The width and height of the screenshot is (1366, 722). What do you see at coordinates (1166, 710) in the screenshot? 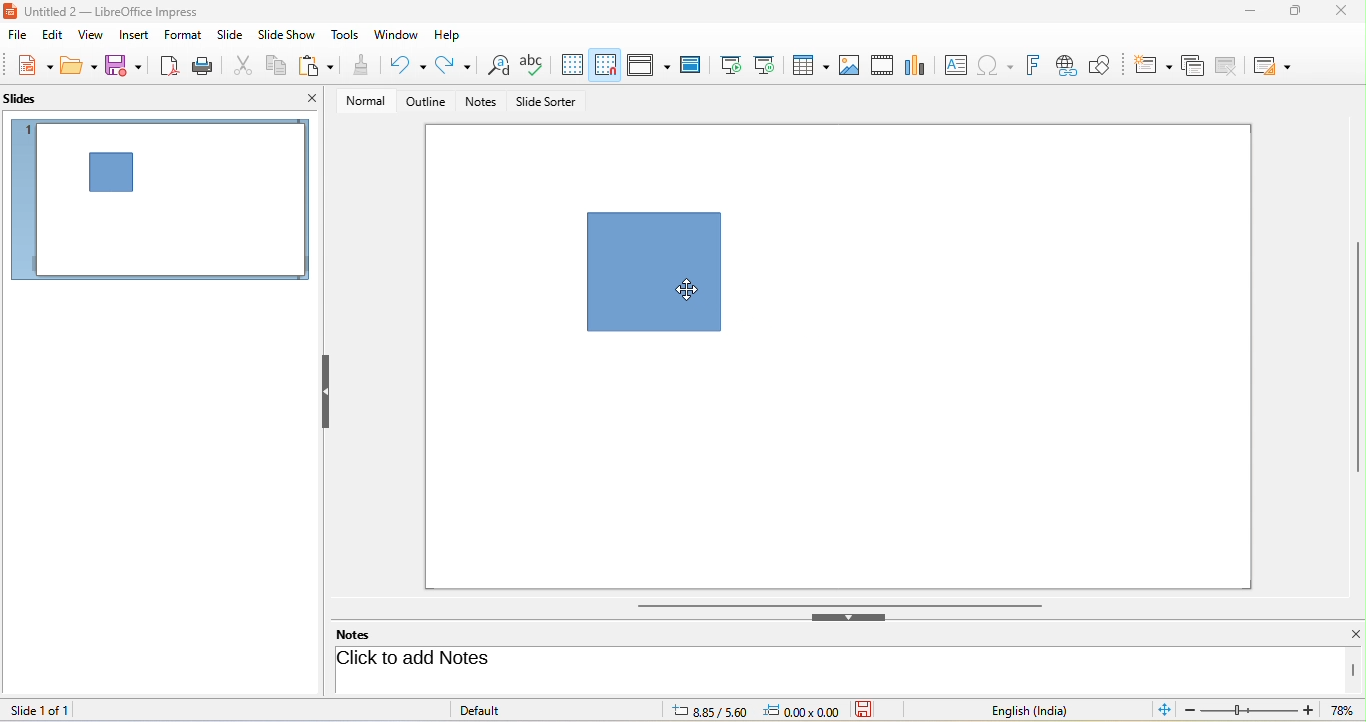
I see `fit slide to current window` at bounding box center [1166, 710].